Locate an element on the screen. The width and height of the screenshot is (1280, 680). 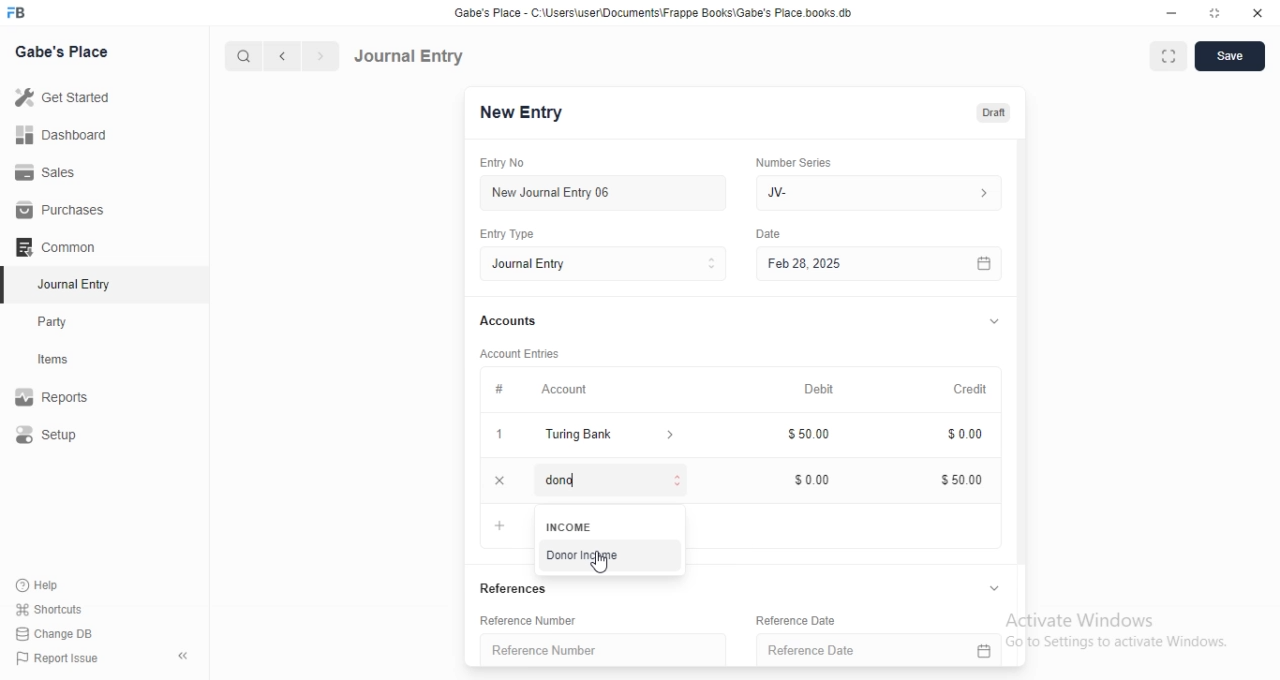
‘Shortcuts is located at coordinates (62, 609).